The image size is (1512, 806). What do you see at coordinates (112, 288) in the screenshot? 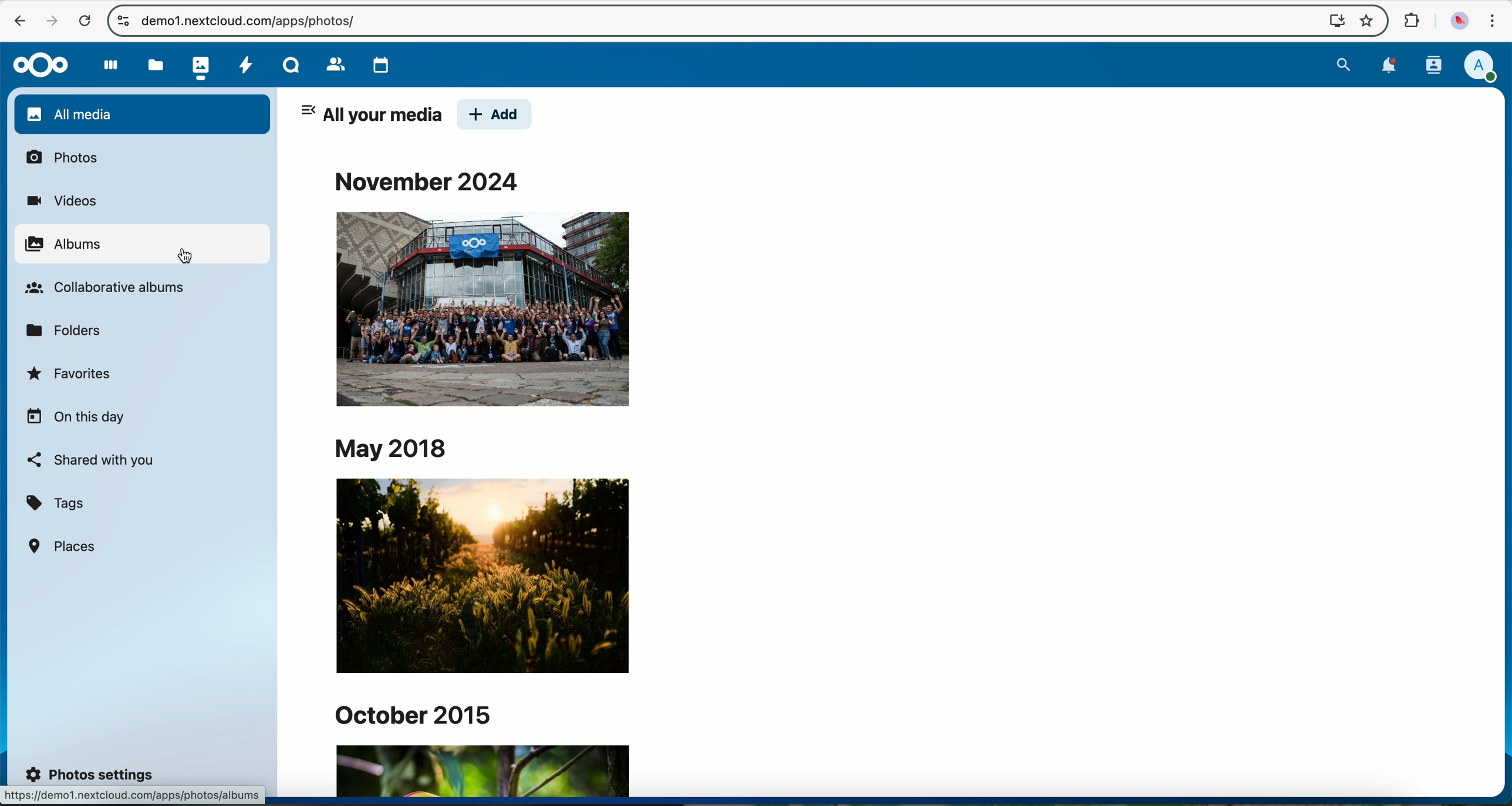
I see `collaborative albums` at bounding box center [112, 288].